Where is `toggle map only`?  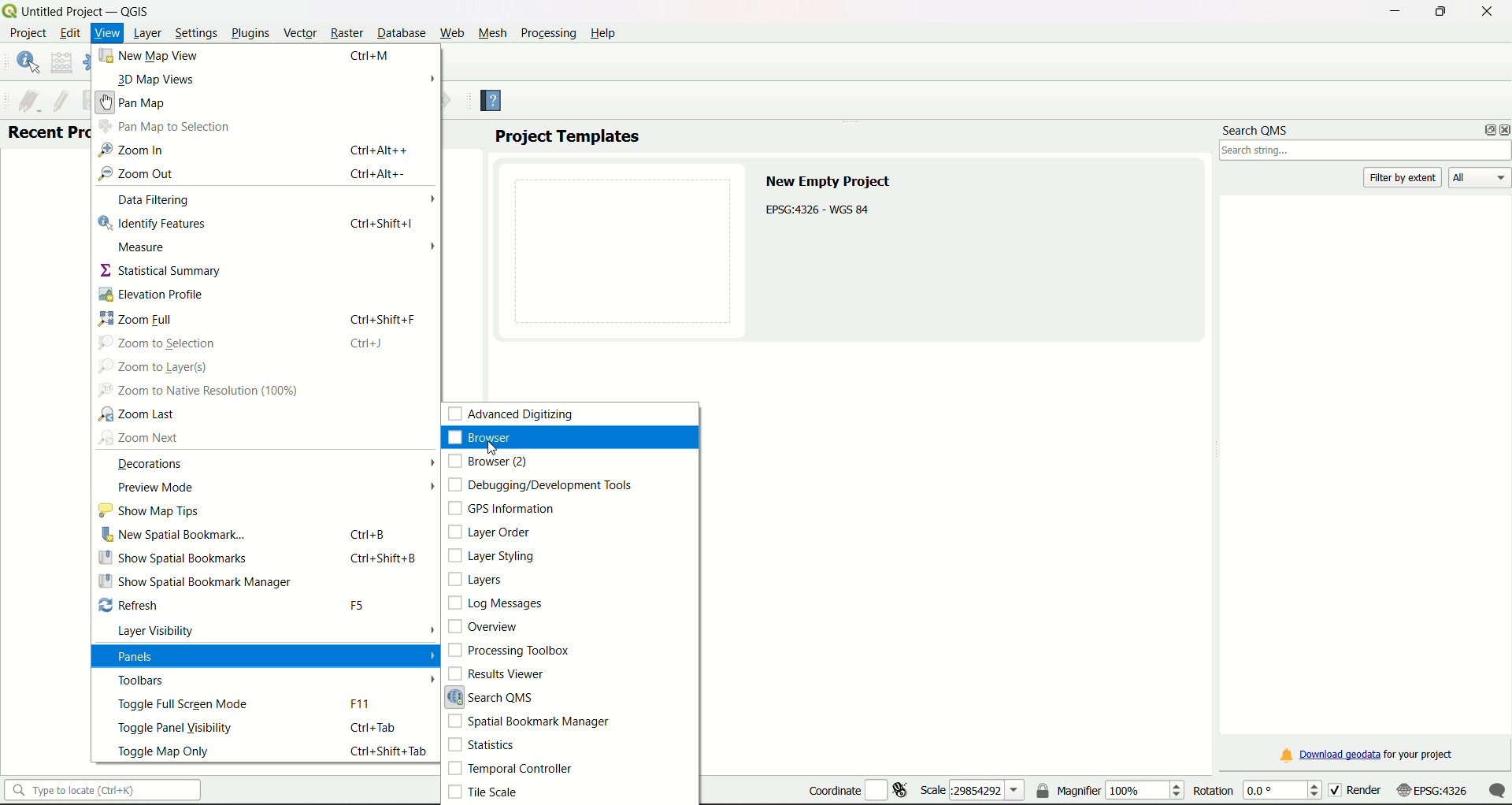
toggle map only is located at coordinates (165, 751).